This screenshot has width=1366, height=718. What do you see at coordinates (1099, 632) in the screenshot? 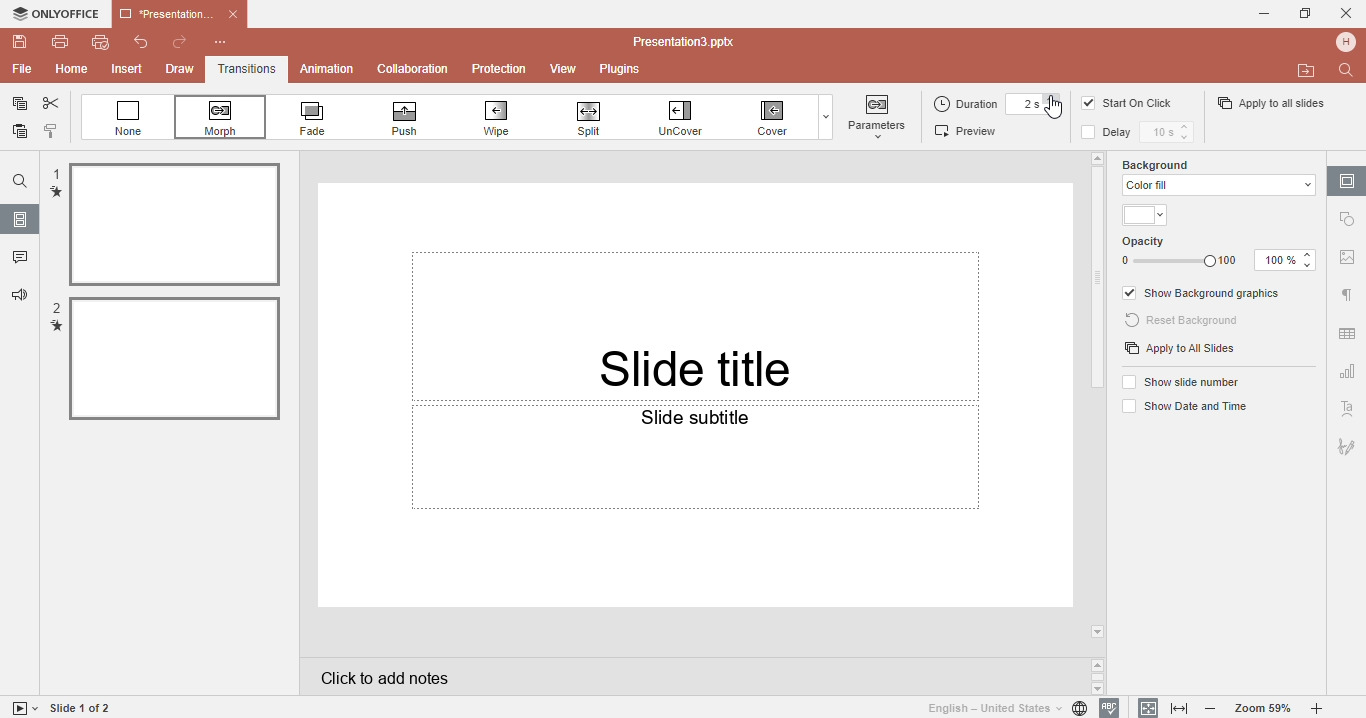
I see `arrow down` at bounding box center [1099, 632].